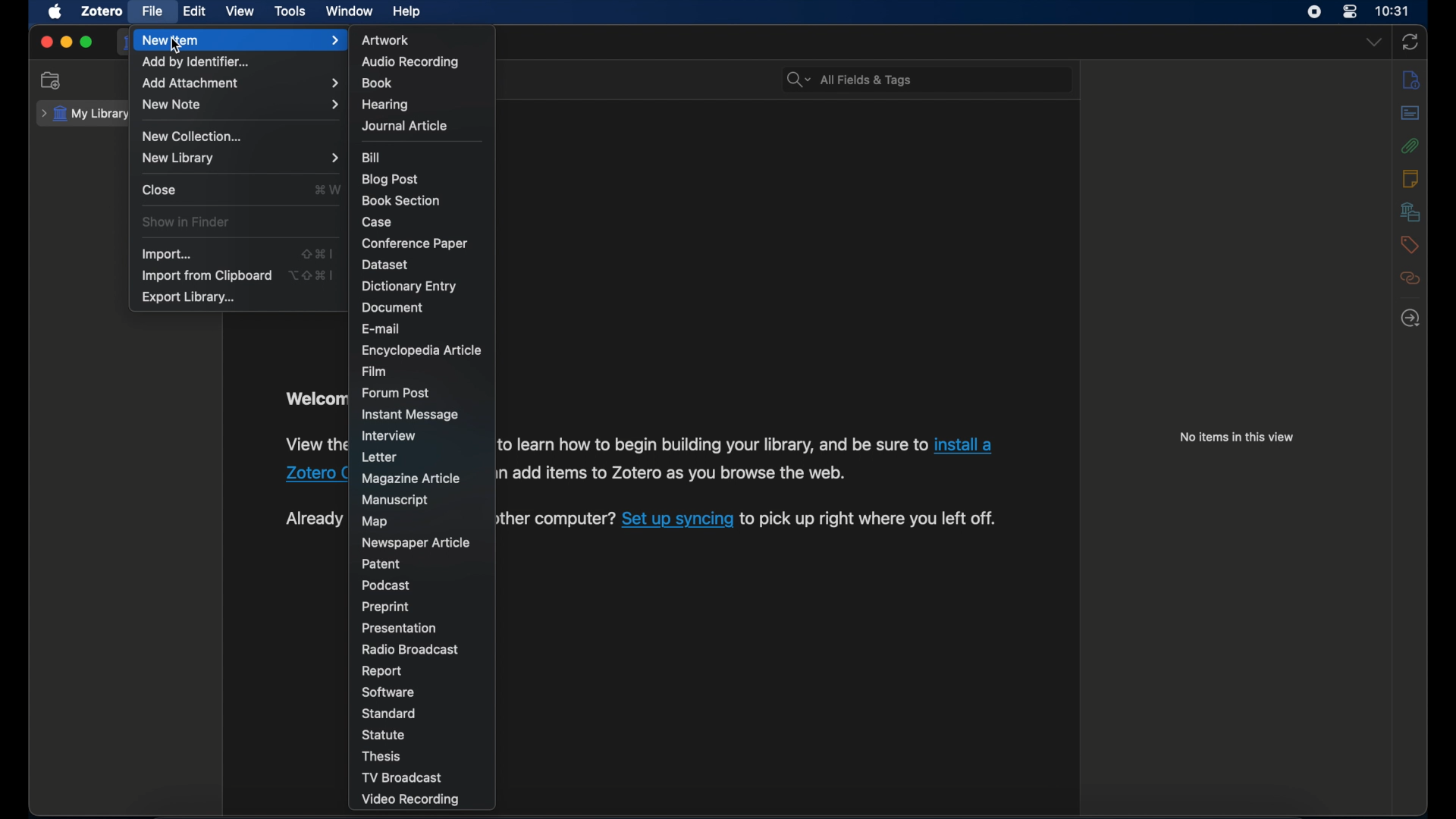 The image size is (1456, 819). What do you see at coordinates (404, 778) in the screenshot?
I see `tv broadcast` at bounding box center [404, 778].